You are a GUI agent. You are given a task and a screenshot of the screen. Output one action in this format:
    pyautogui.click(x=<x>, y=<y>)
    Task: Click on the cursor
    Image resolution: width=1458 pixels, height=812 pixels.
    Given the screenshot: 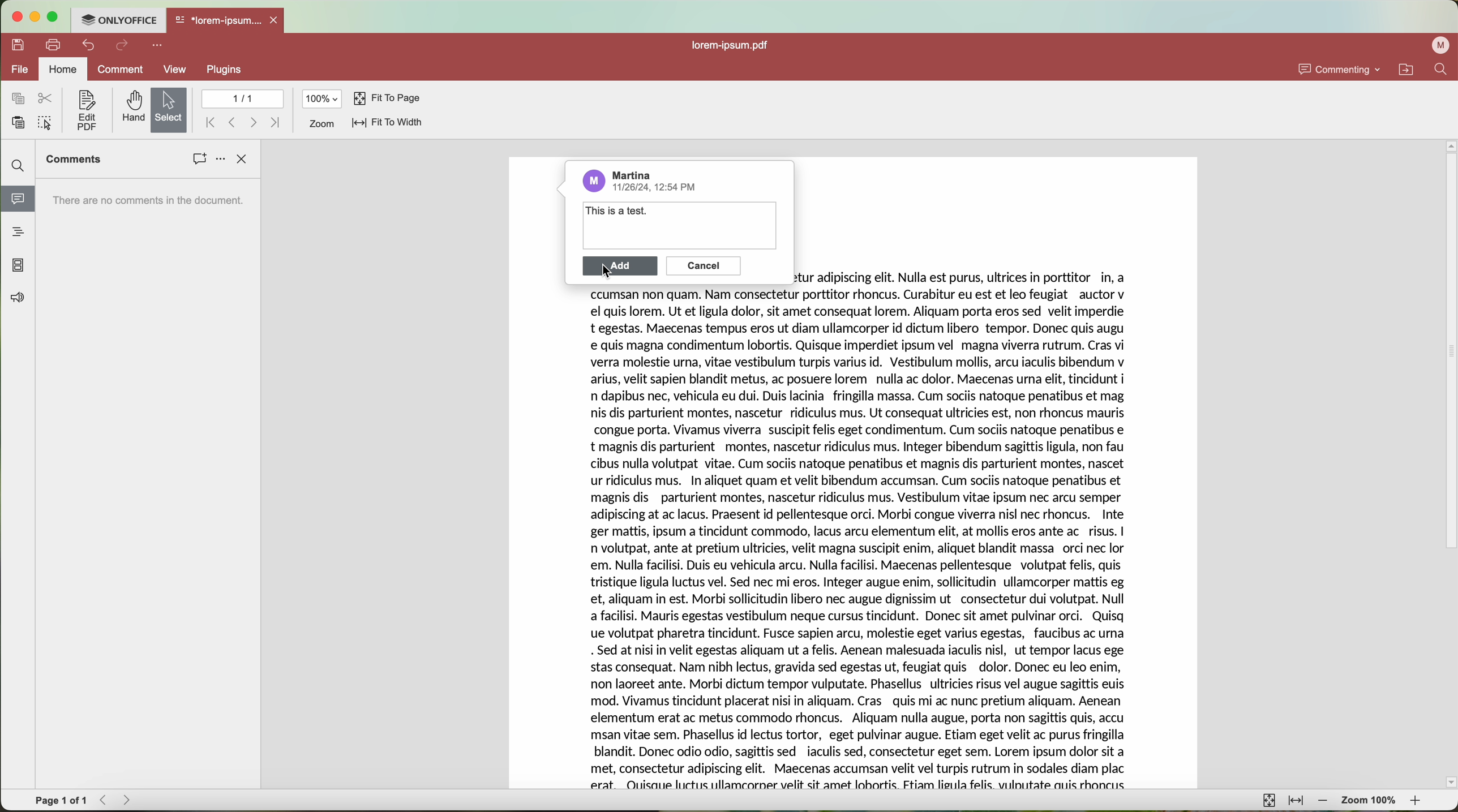 What is the action you would take?
    pyautogui.click(x=611, y=274)
    